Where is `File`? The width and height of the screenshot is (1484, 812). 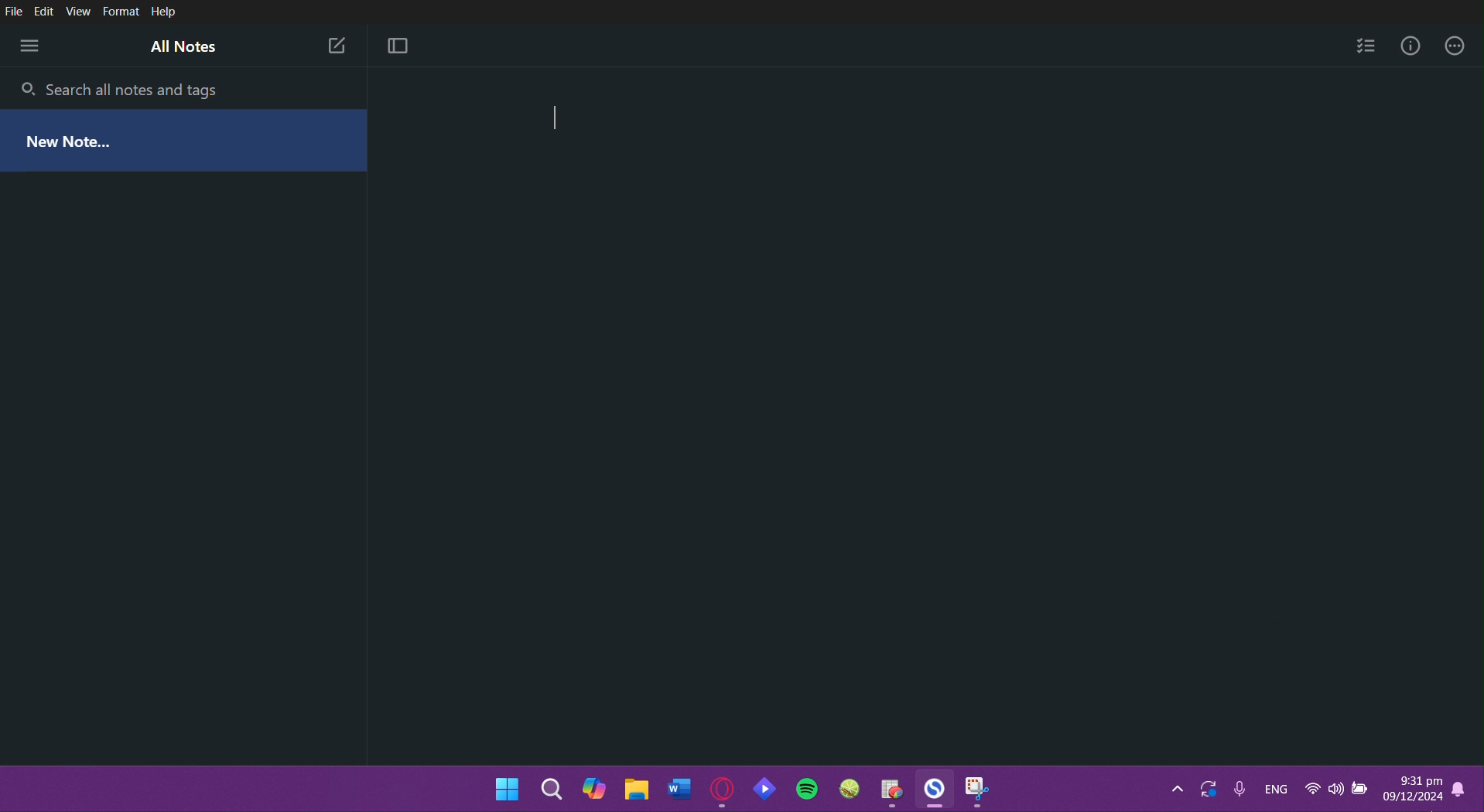 File is located at coordinates (15, 12).